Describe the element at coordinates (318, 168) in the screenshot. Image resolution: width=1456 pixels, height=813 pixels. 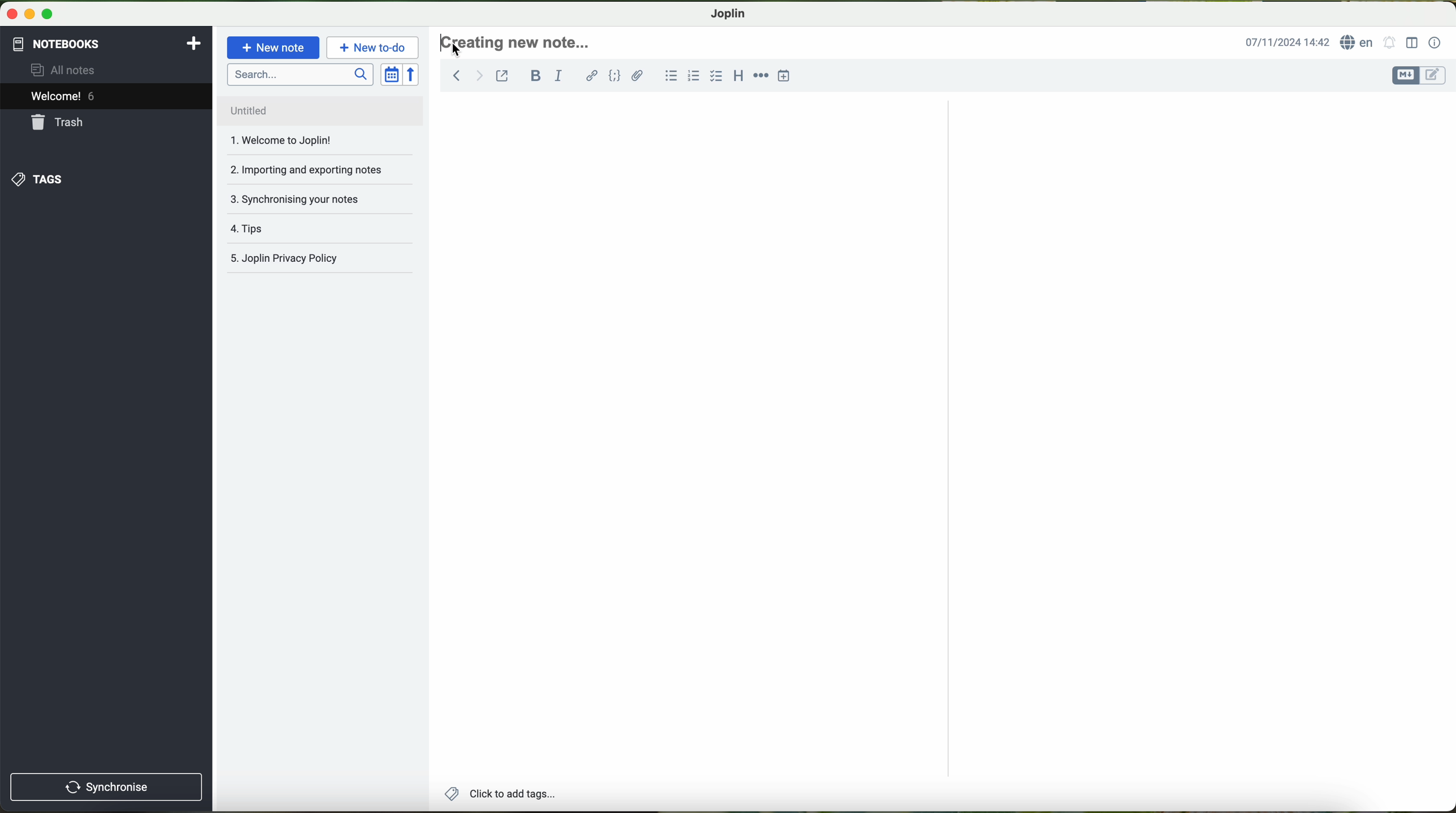
I see `importing and exporting notes` at that location.